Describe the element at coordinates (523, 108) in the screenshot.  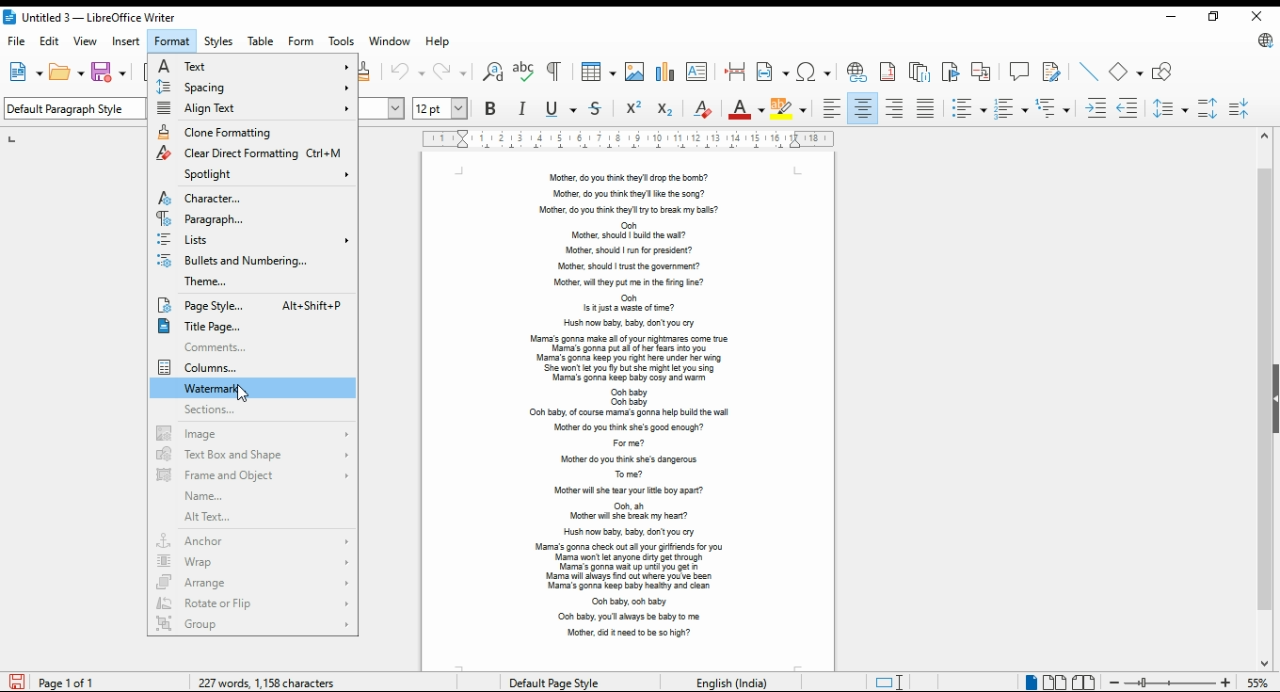
I see `italics` at that location.